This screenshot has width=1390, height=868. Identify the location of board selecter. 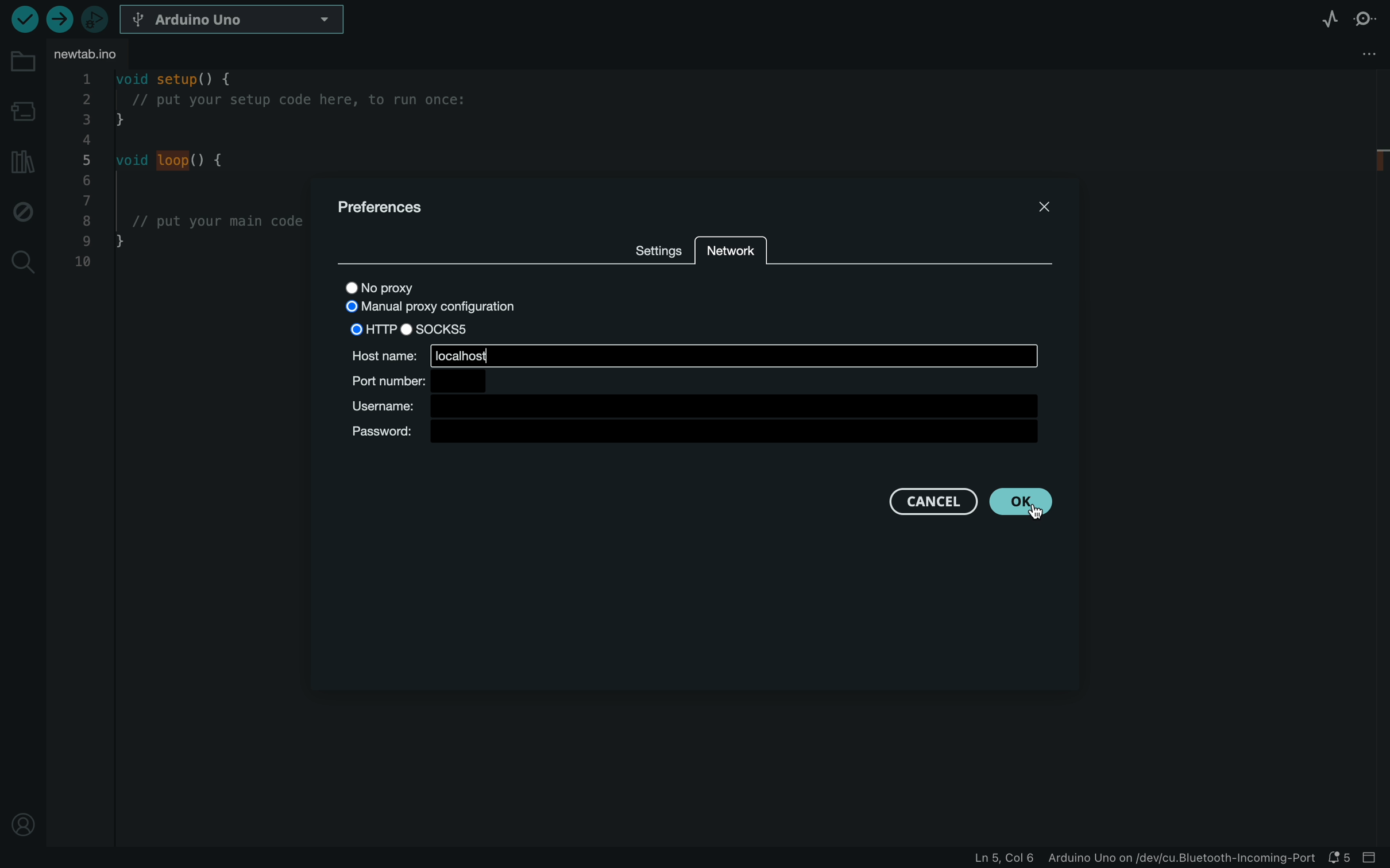
(234, 21).